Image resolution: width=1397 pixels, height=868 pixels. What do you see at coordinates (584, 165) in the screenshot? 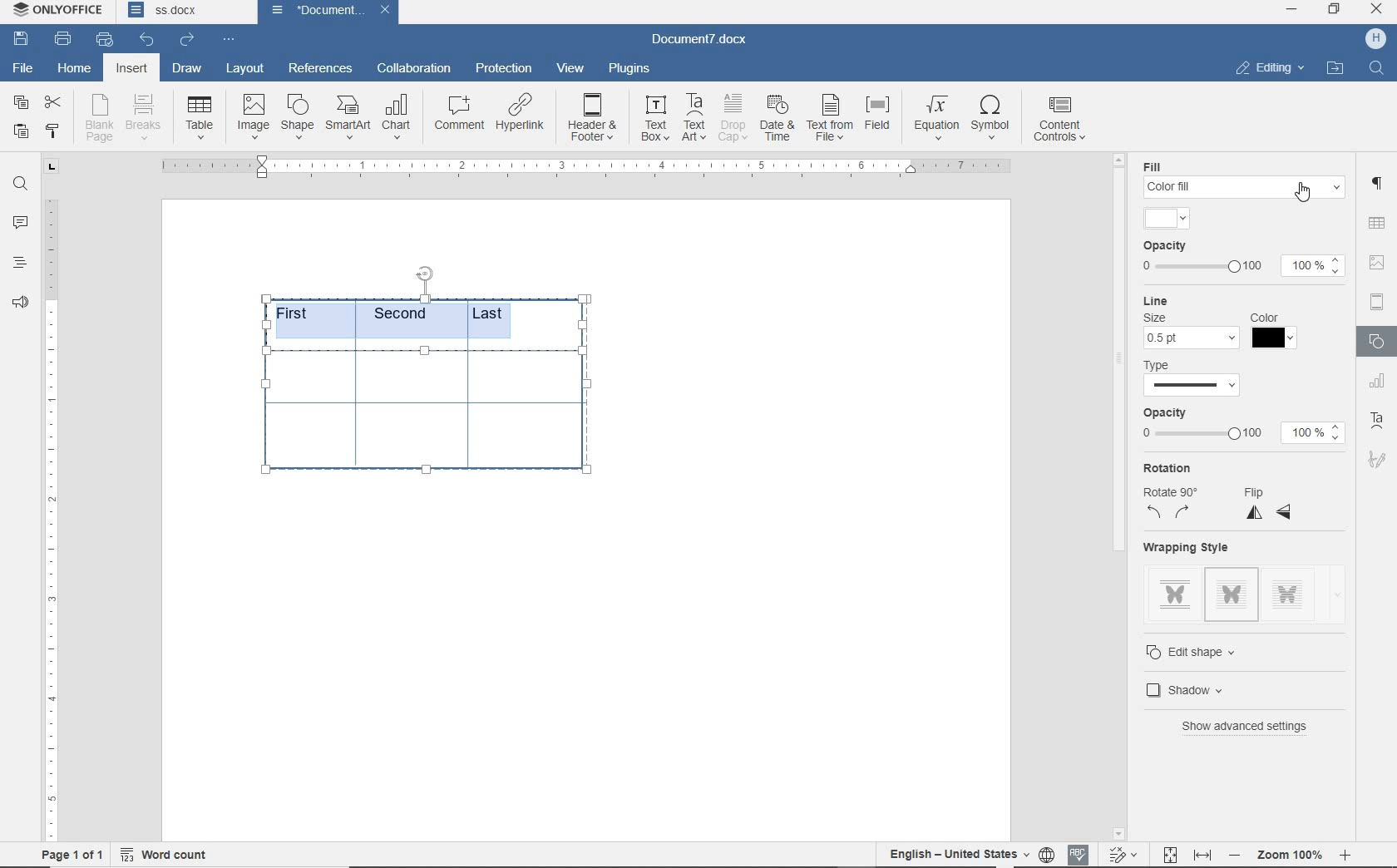
I see `ruler` at bounding box center [584, 165].